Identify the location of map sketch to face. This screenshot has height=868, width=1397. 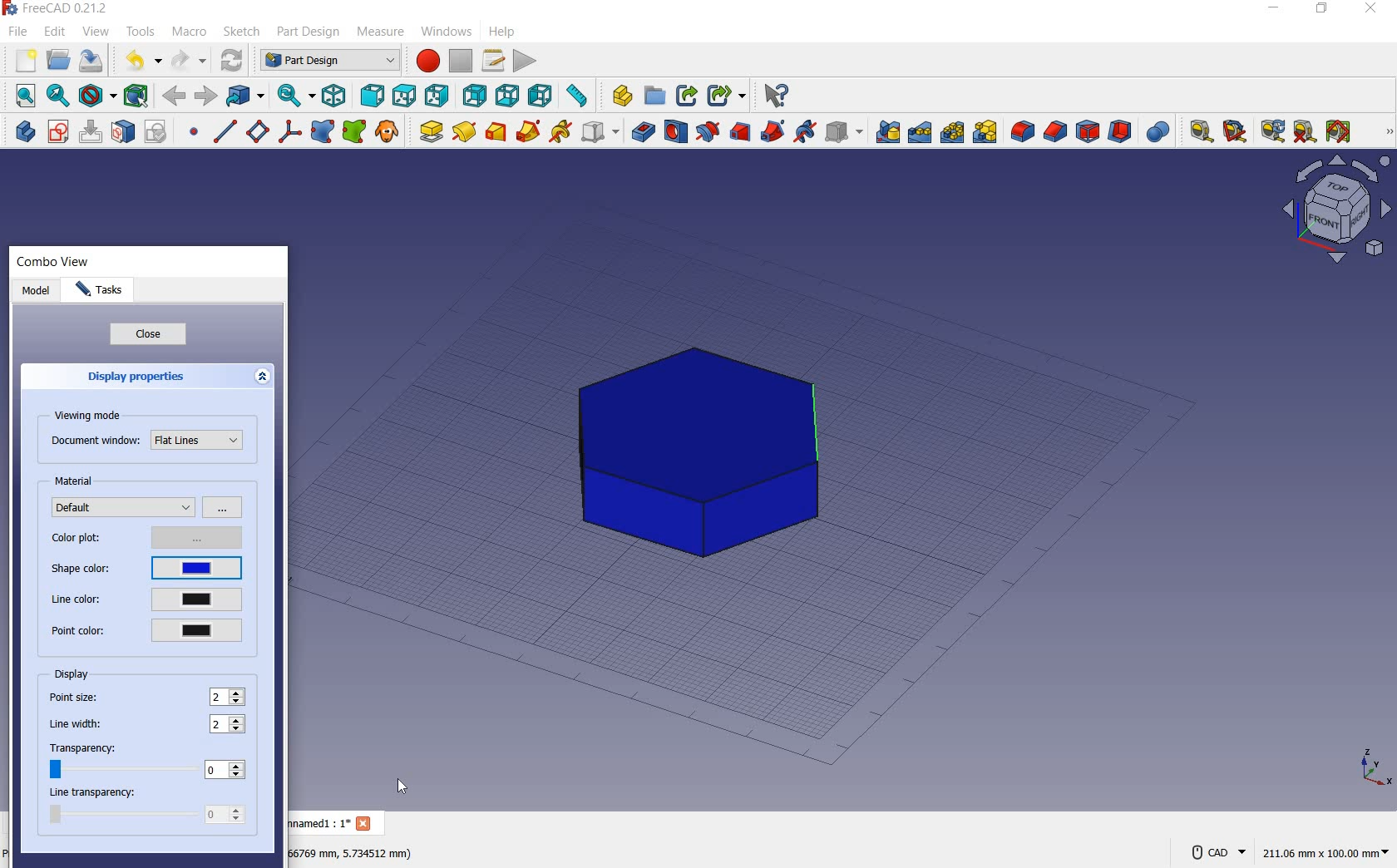
(124, 132).